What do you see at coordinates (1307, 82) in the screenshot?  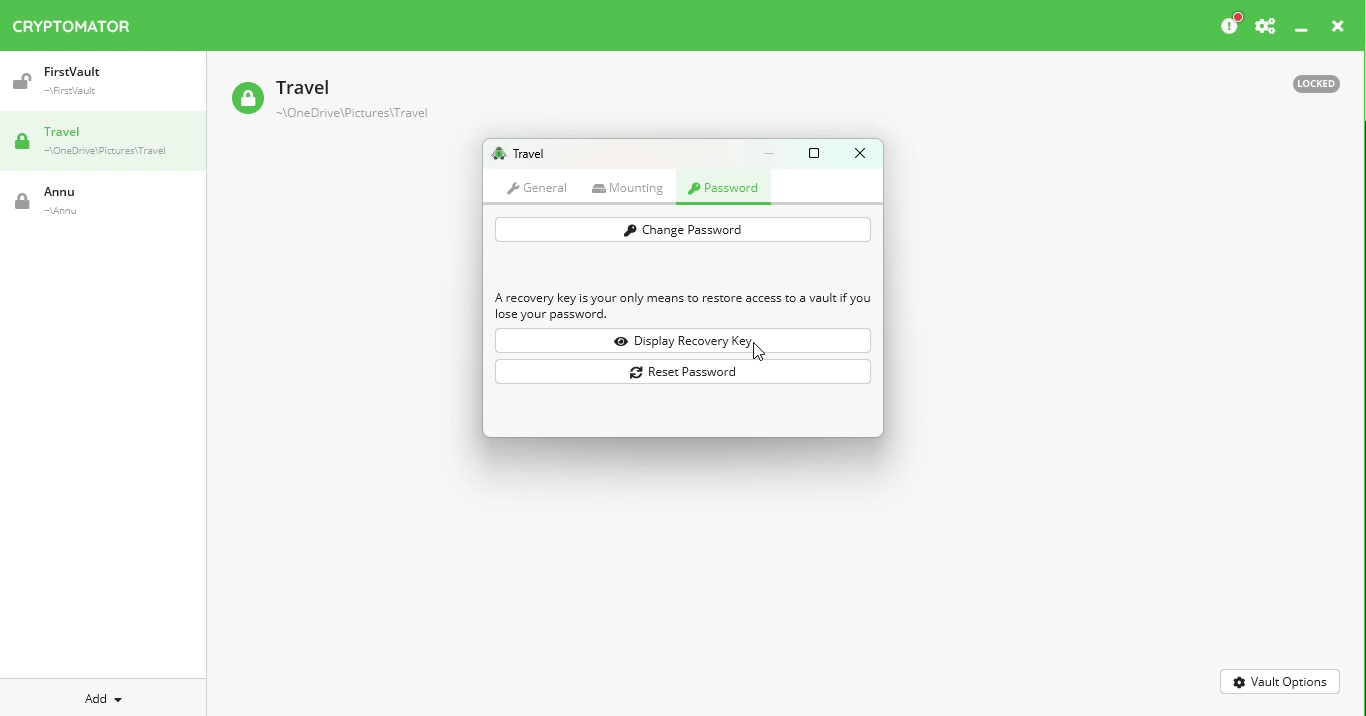 I see `Locked` at bounding box center [1307, 82].